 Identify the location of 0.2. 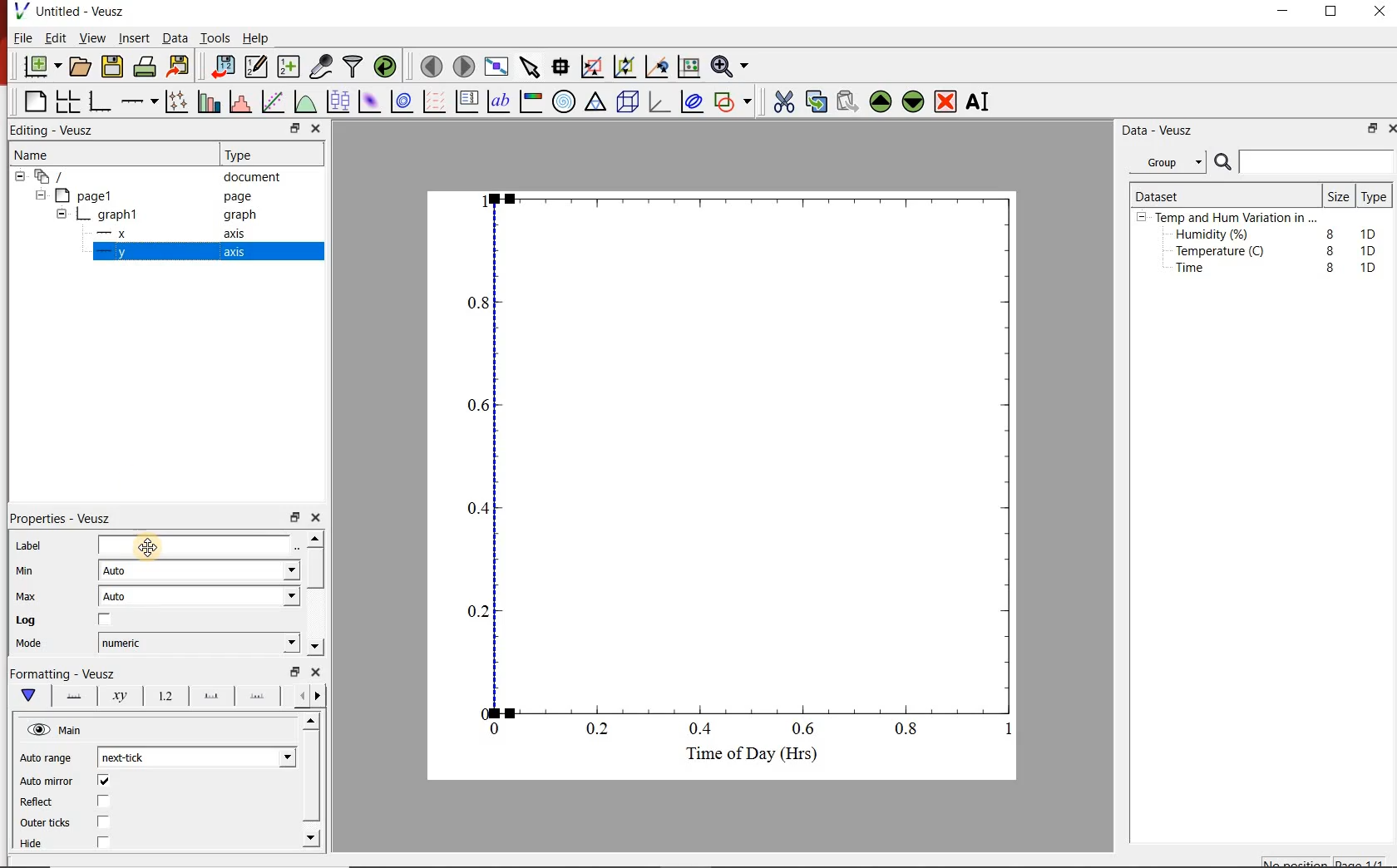
(600, 730).